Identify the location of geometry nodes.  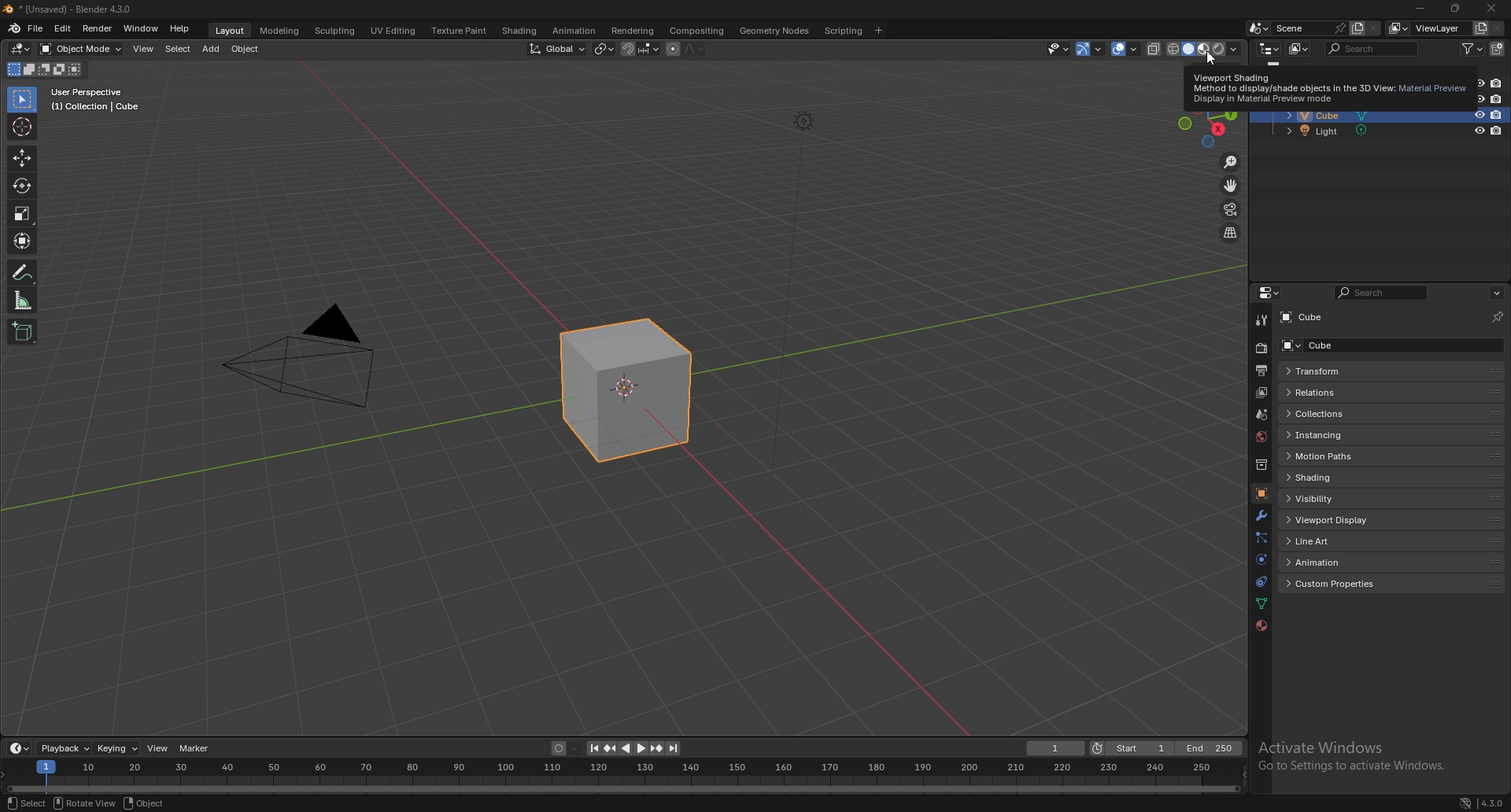
(775, 31).